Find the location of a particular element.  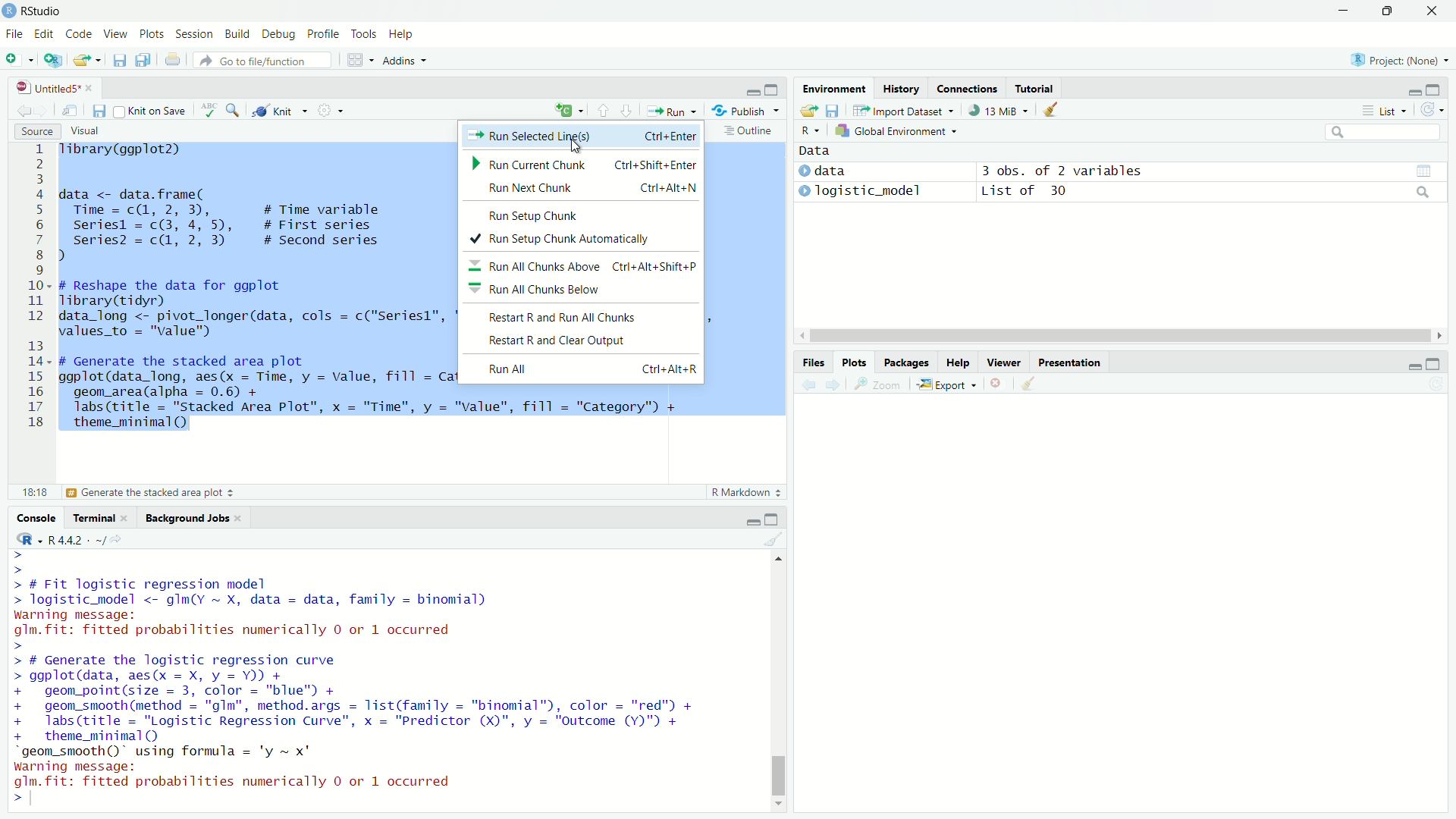

add script is located at coordinates (56, 61).